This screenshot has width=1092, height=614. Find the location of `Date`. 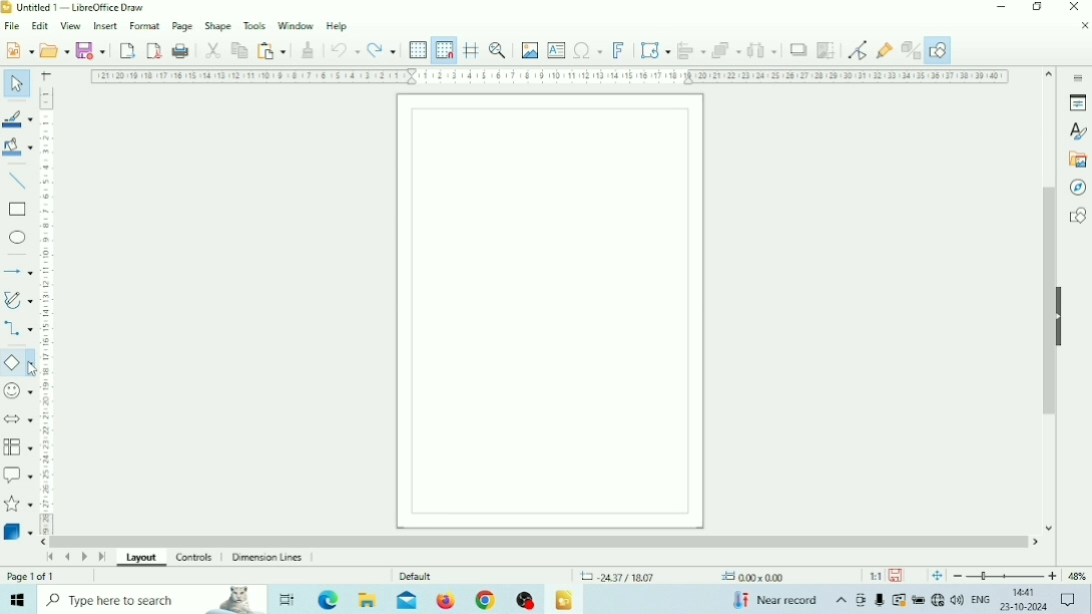

Date is located at coordinates (1024, 607).